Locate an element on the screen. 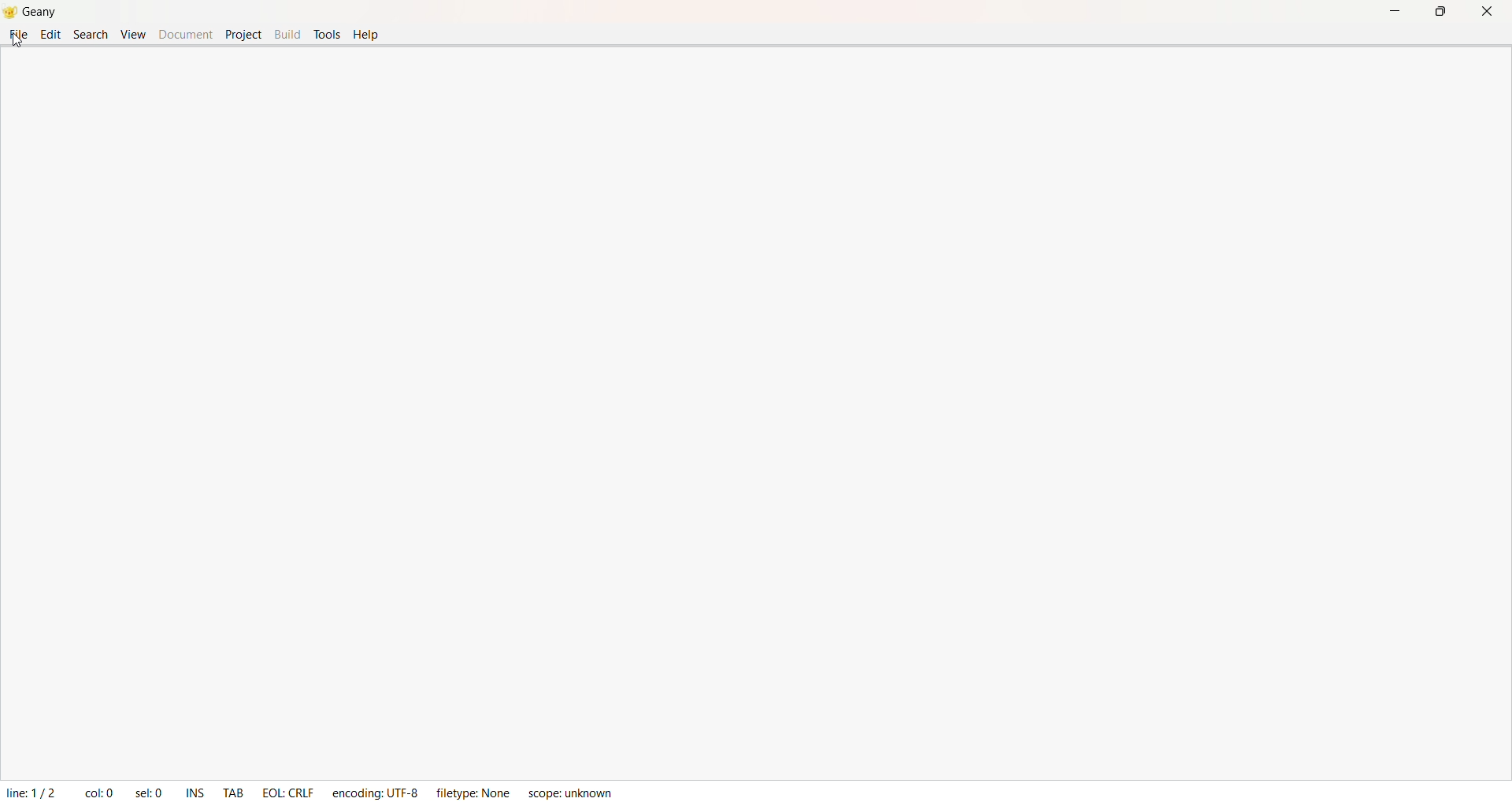  FileType: None is located at coordinates (473, 791).